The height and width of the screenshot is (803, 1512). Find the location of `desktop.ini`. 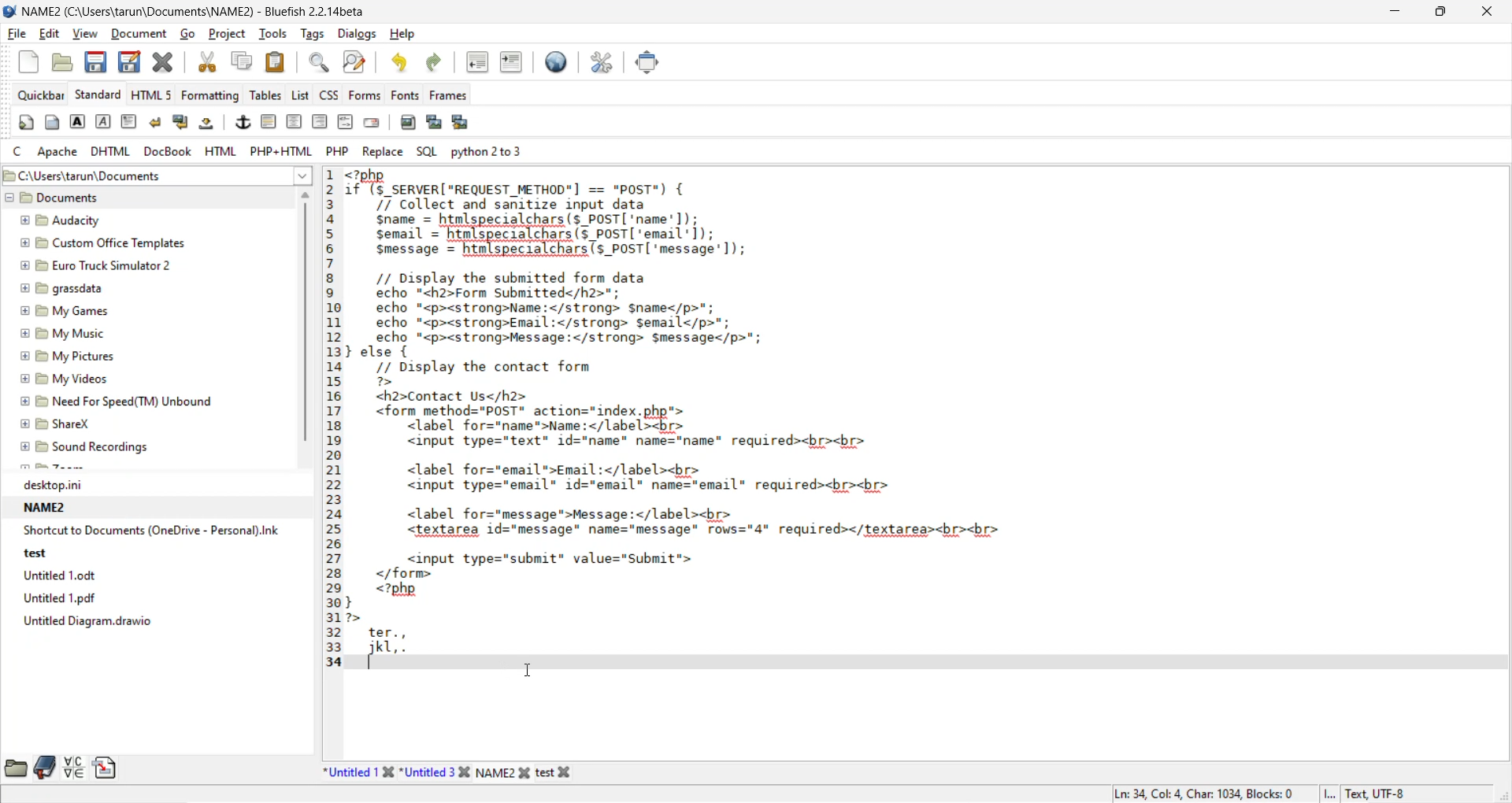

desktop.ini is located at coordinates (63, 485).